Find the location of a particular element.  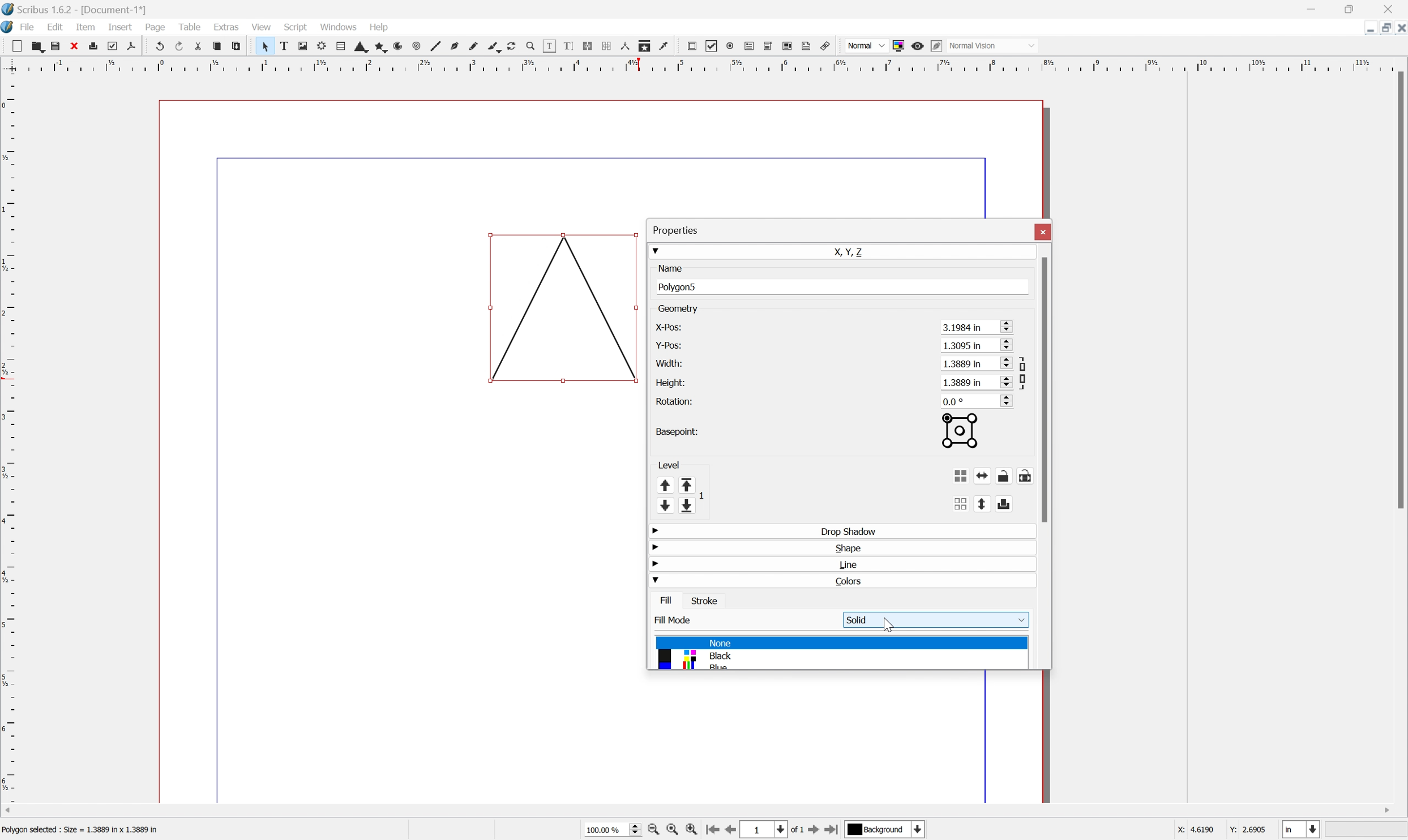

Drop Down is located at coordinates (656, 250).